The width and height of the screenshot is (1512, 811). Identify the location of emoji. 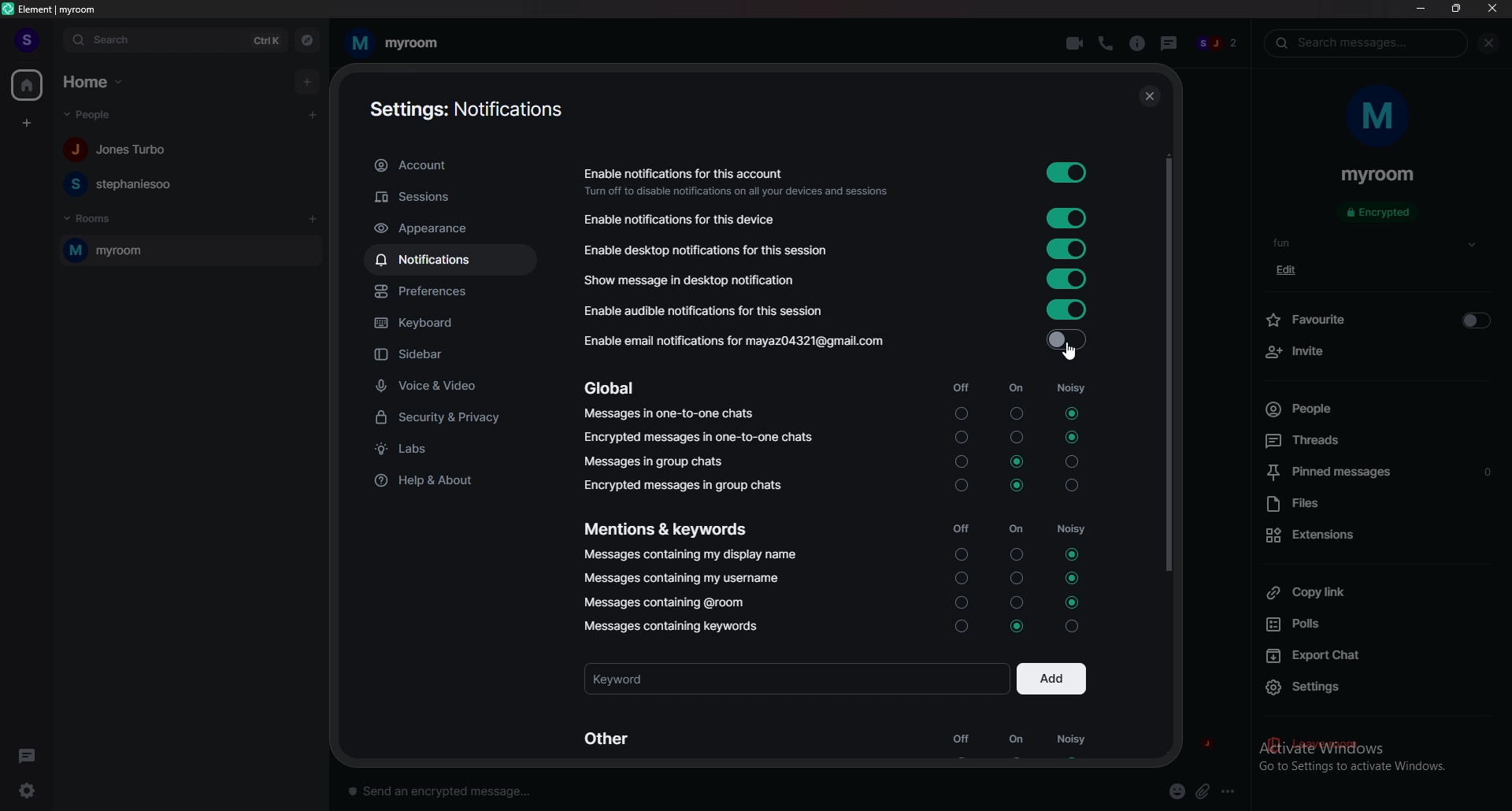
(1178, 792).